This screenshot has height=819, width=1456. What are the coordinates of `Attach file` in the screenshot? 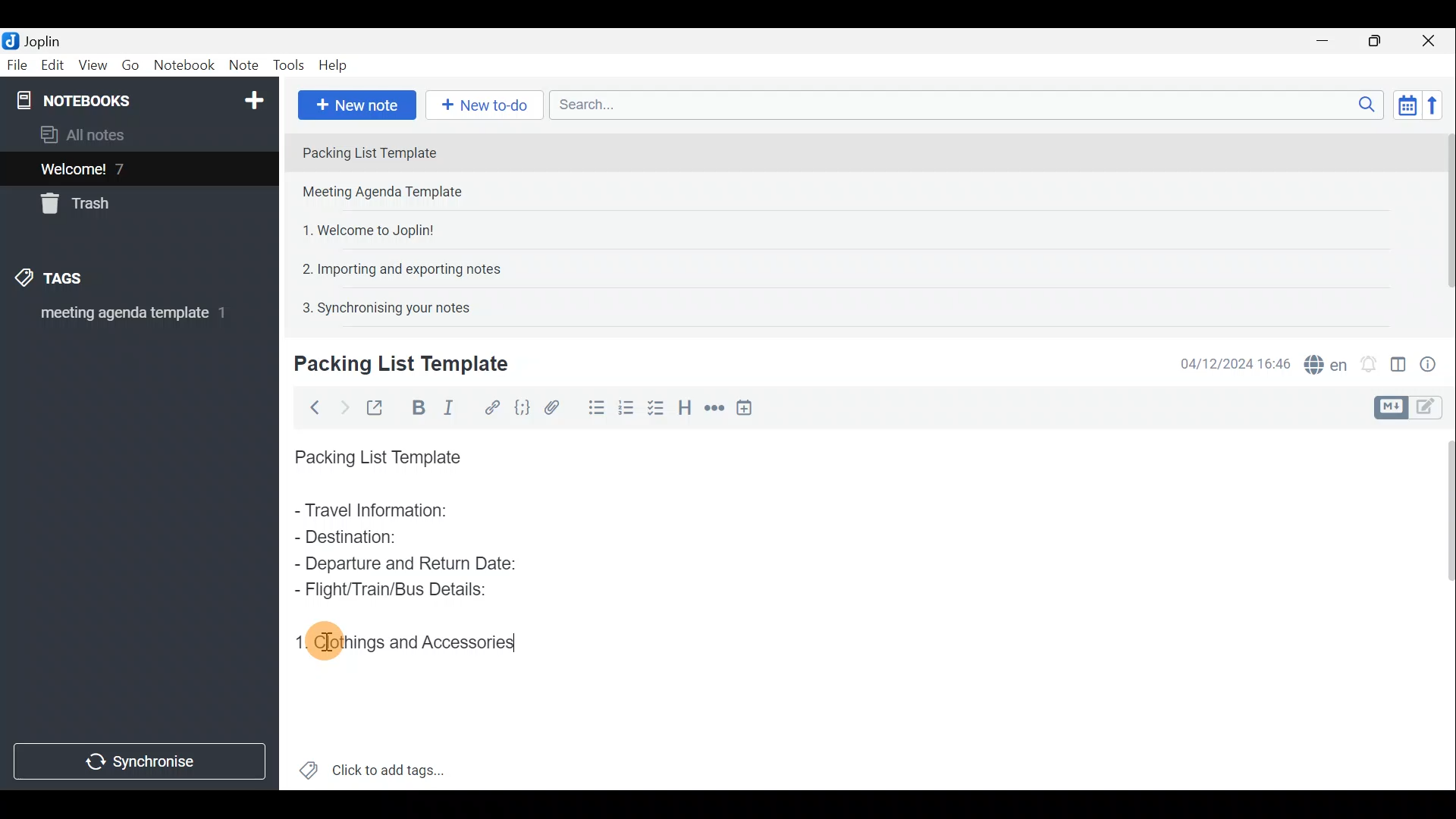 It's located at (552, 406).